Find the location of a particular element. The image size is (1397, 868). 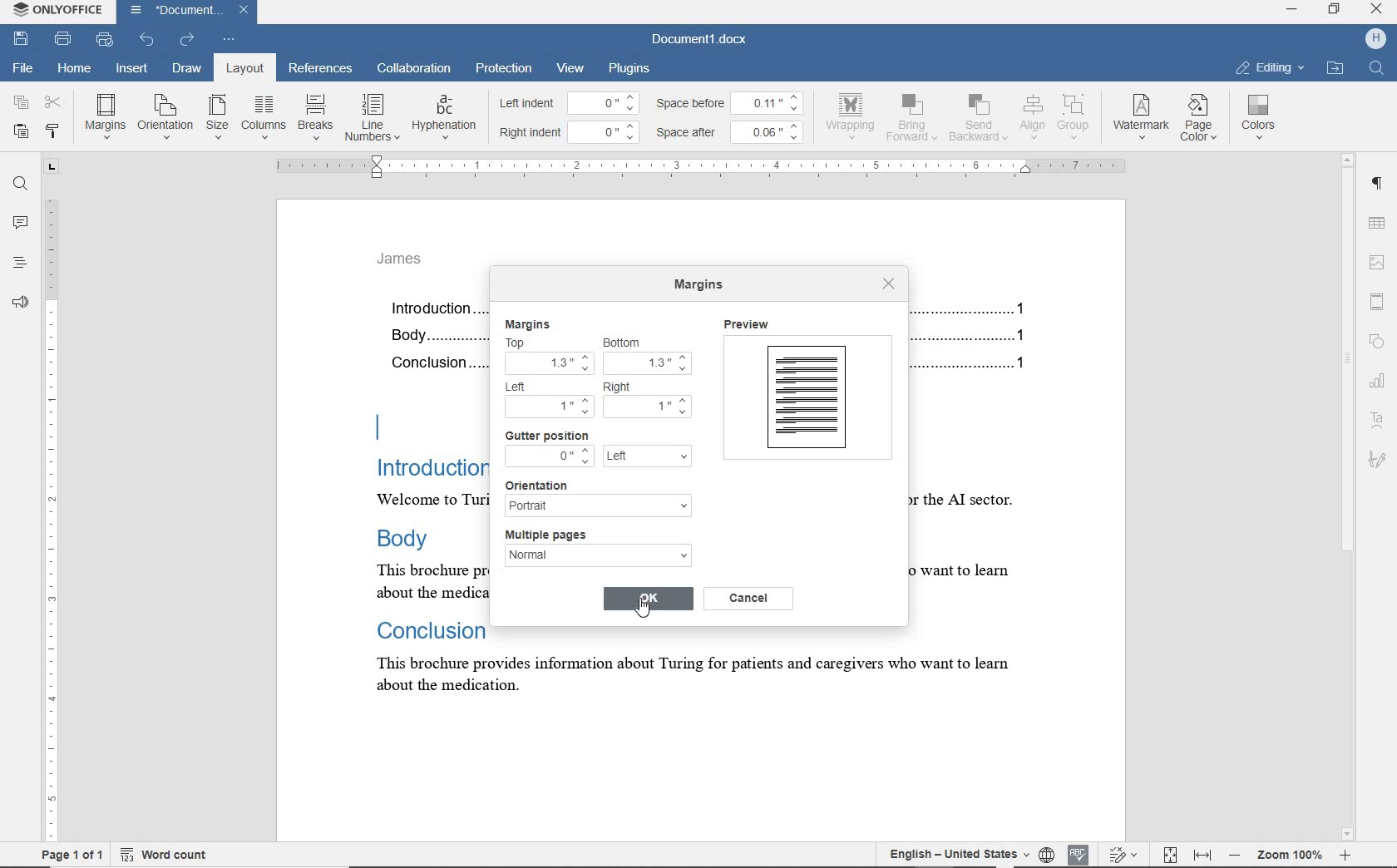

orientation is located at coordinates (165, 116).